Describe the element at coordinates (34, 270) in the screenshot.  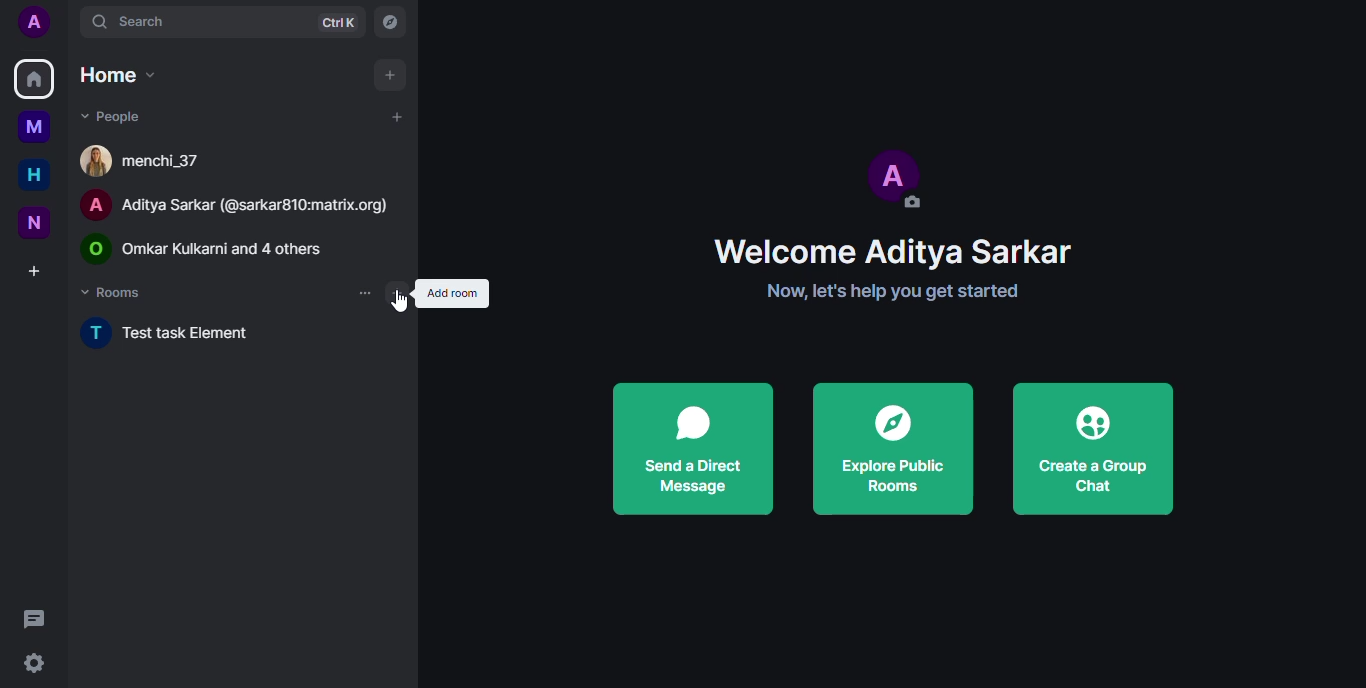
I see `create a space` at that location.